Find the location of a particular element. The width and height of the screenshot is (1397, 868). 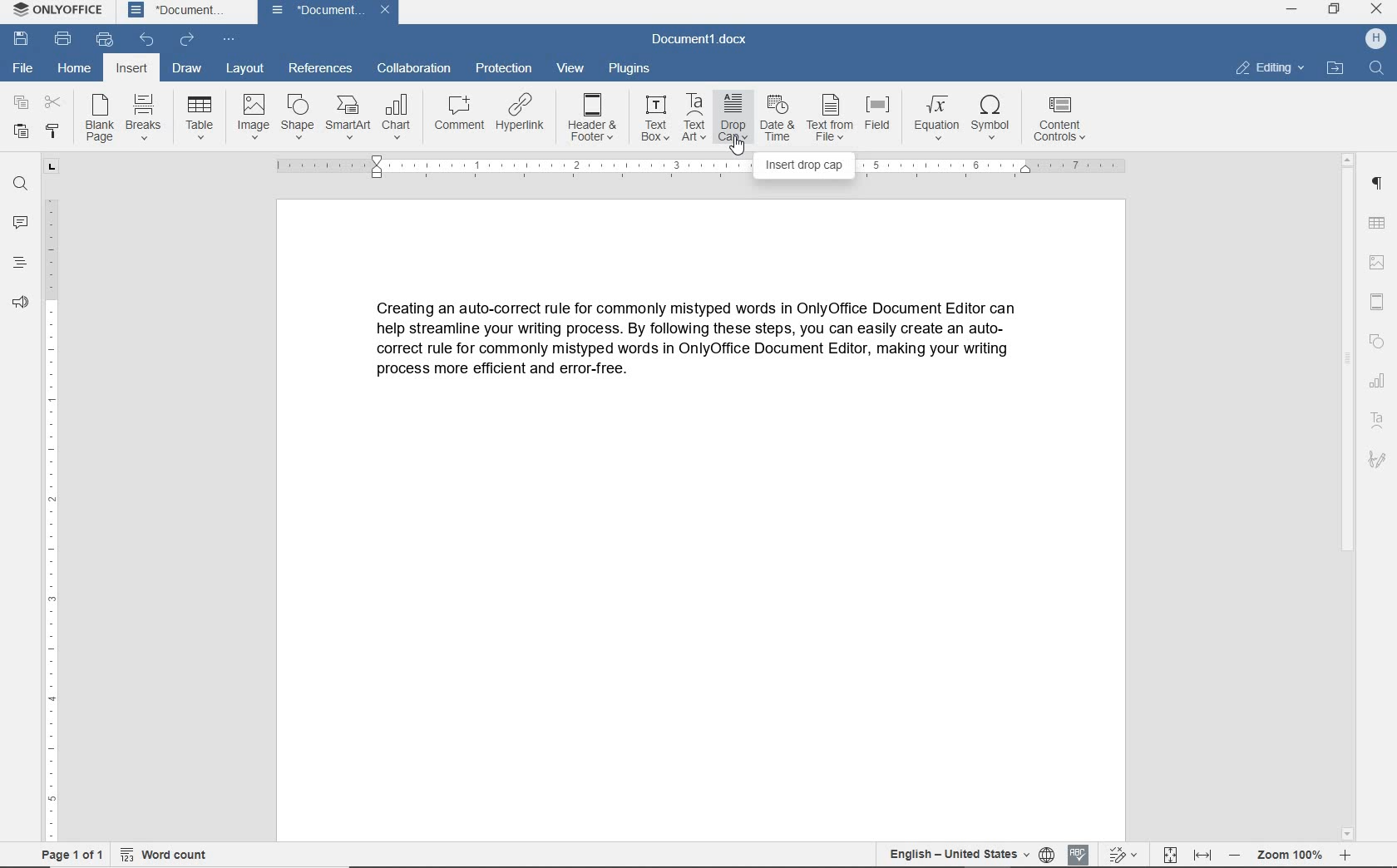

text language is located at coordinates (958, 855).